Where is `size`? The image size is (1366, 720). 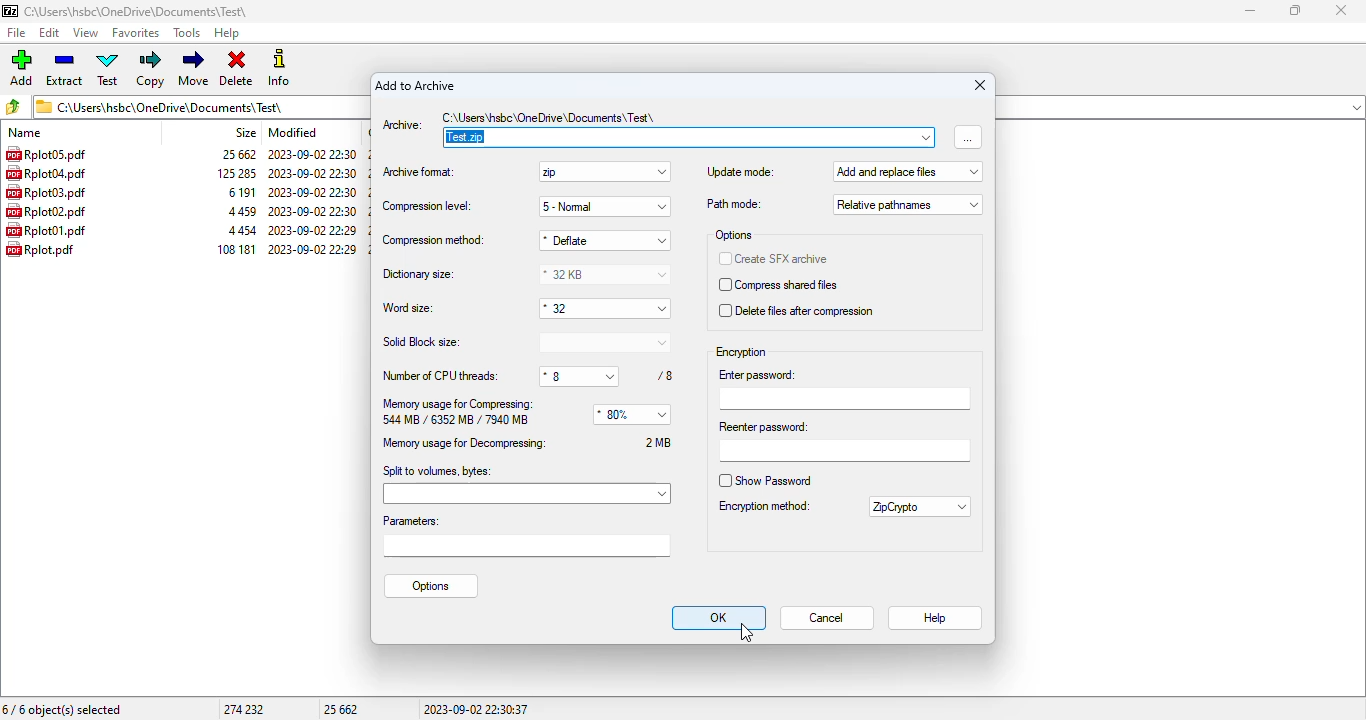 size is located at coordinates (243, 230).